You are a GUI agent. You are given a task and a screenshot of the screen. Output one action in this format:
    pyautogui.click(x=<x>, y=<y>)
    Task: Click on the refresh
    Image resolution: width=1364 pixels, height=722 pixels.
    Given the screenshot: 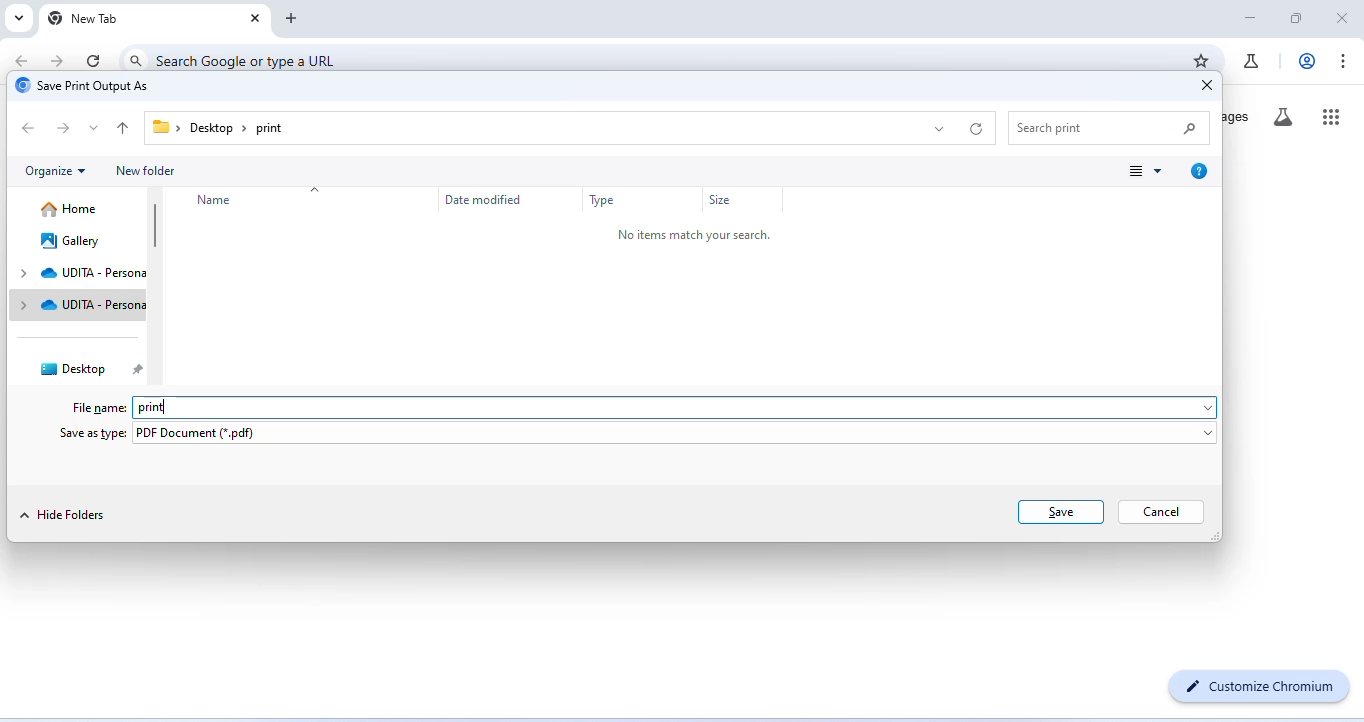 What is the action you would take?
    pyautogui.click(x=95, y=60)
    